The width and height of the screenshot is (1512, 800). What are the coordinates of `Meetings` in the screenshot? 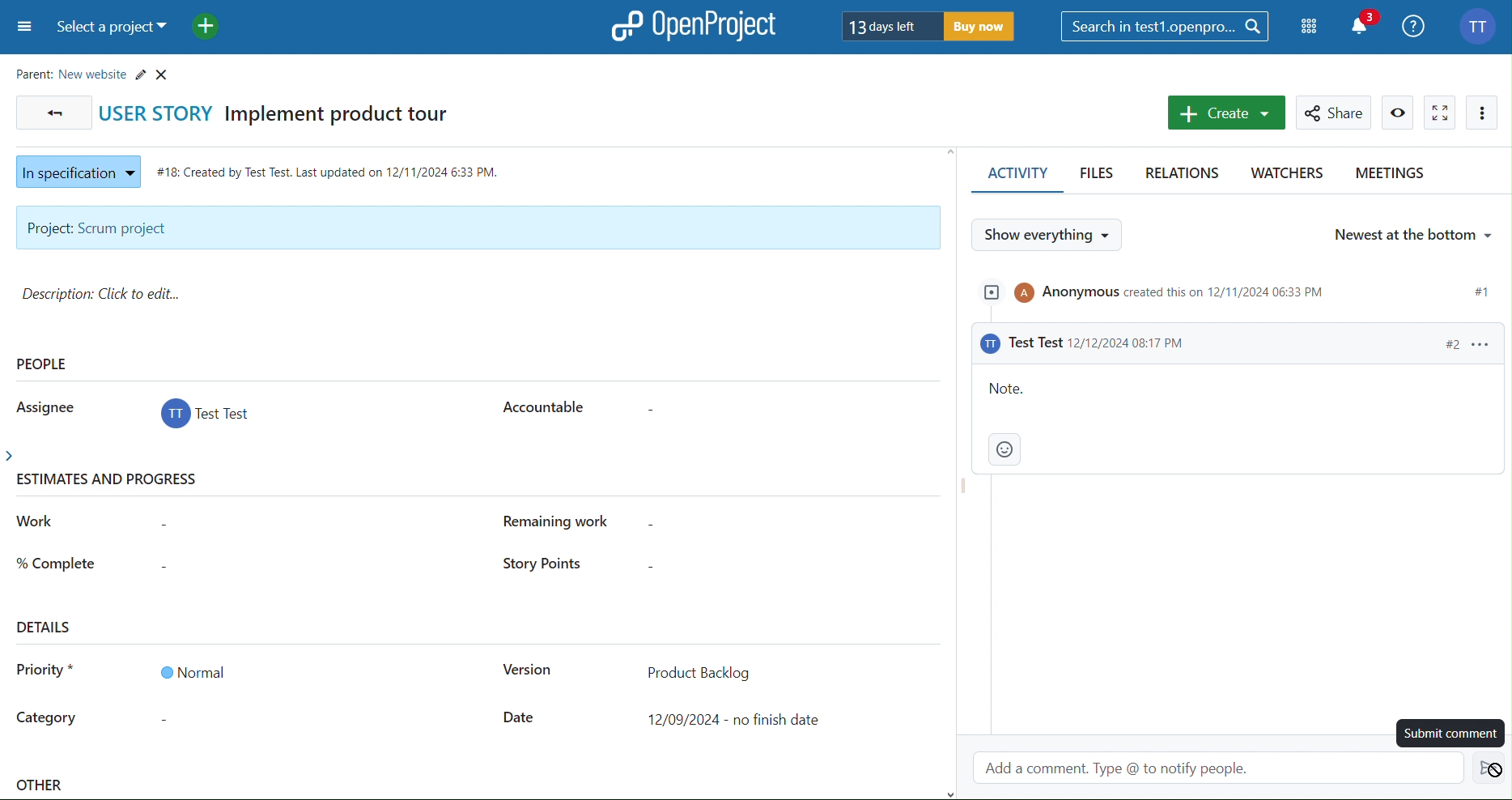 It's located at (1388, 176).